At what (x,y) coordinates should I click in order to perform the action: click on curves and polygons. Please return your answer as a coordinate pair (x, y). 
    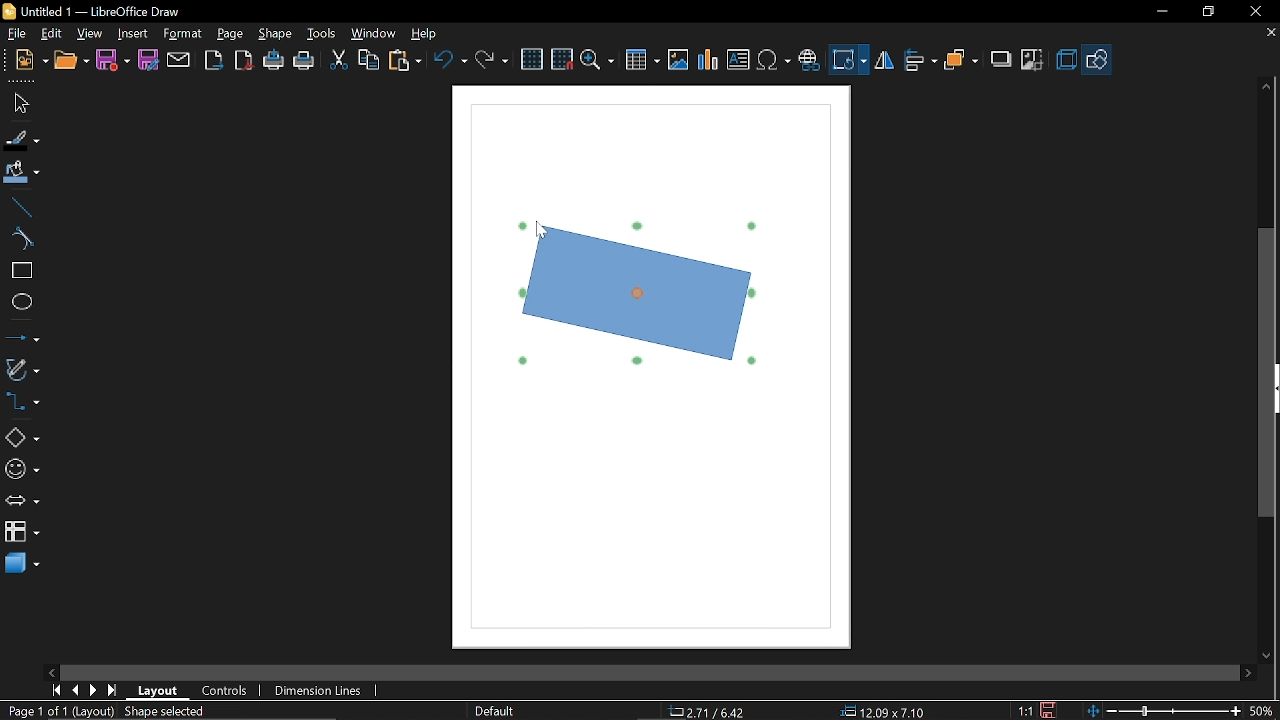
    Looking at the image, I should click on (22, 370).